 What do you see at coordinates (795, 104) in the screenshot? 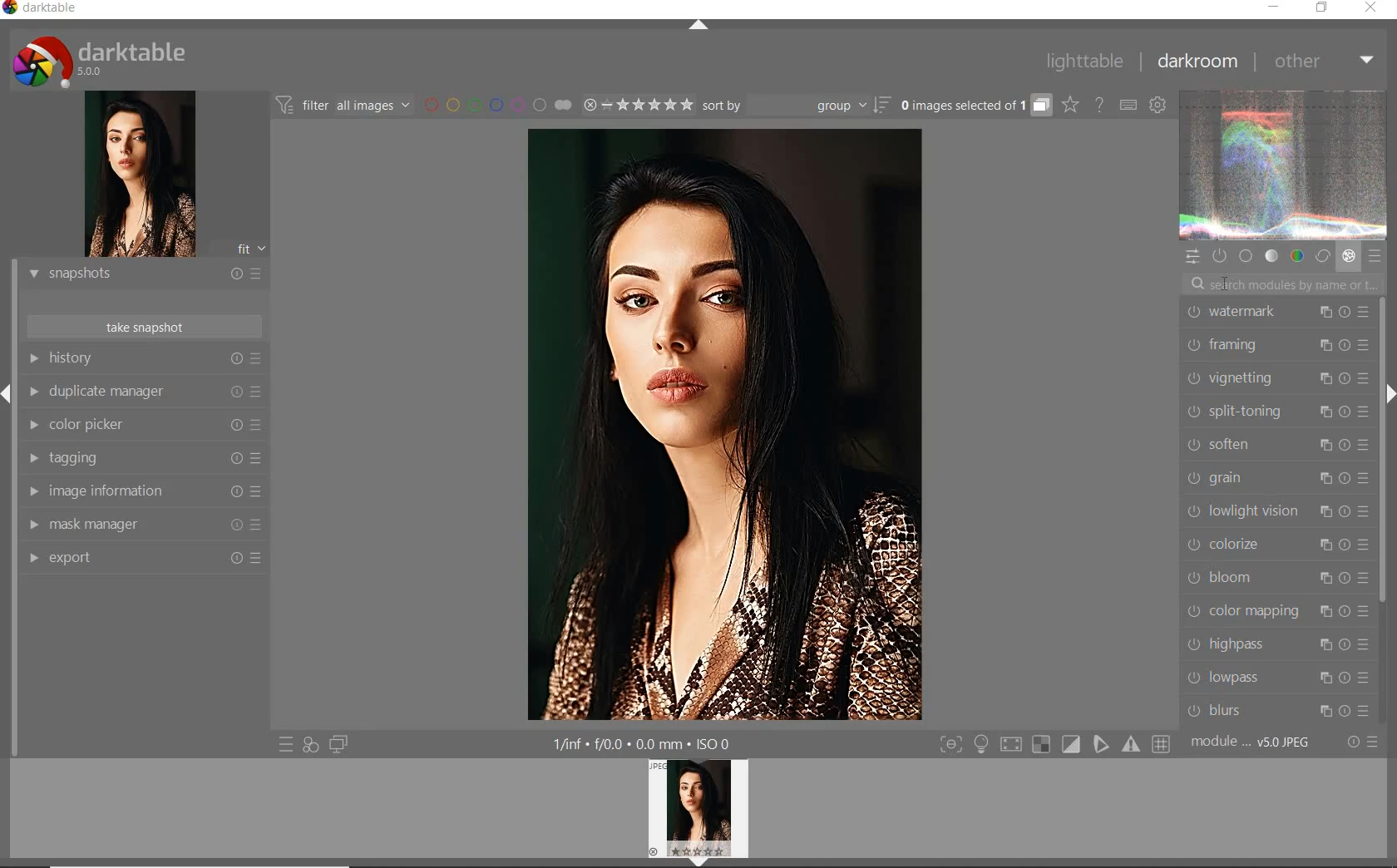
I see `sort` at bounding box center [795, 104].